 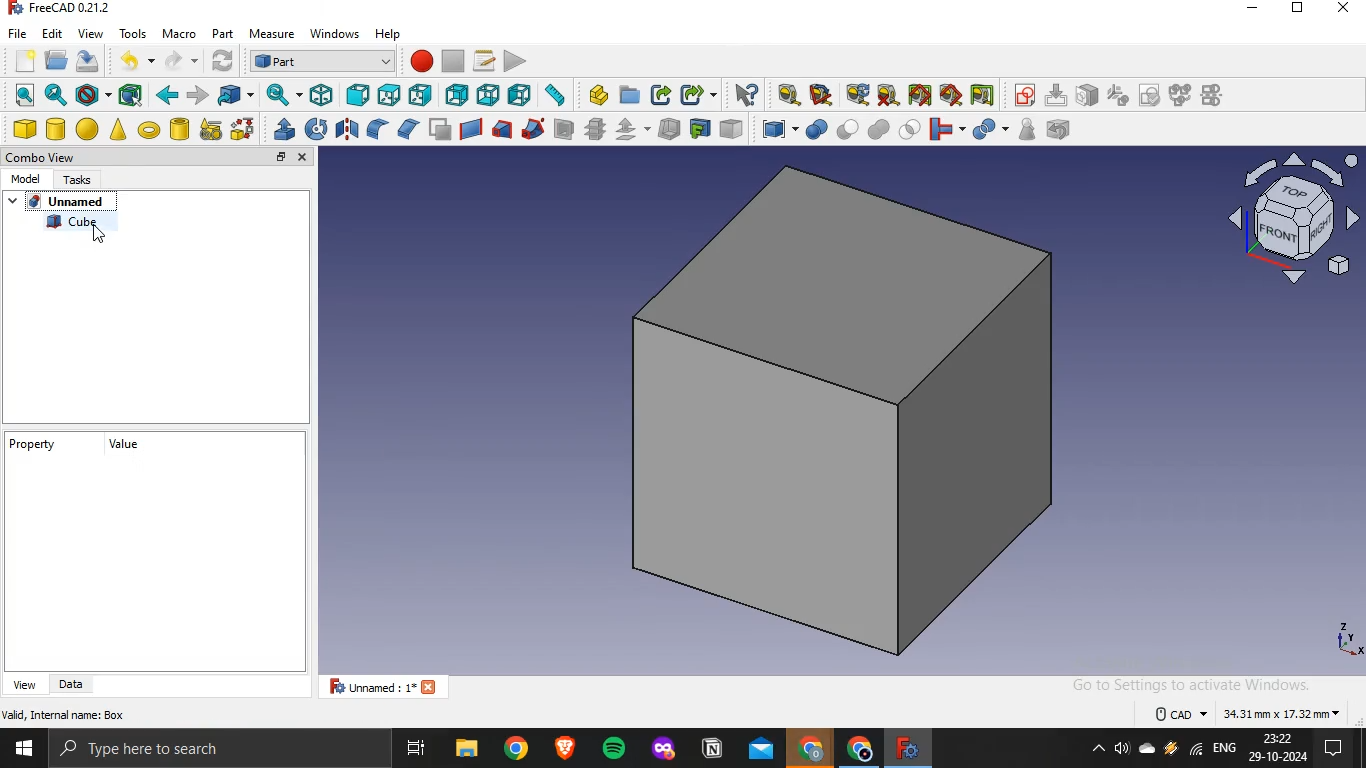 What do you see at coordinates (88, 129) in the screenshot?
I see `sphere` at bounding box center [88, 129].